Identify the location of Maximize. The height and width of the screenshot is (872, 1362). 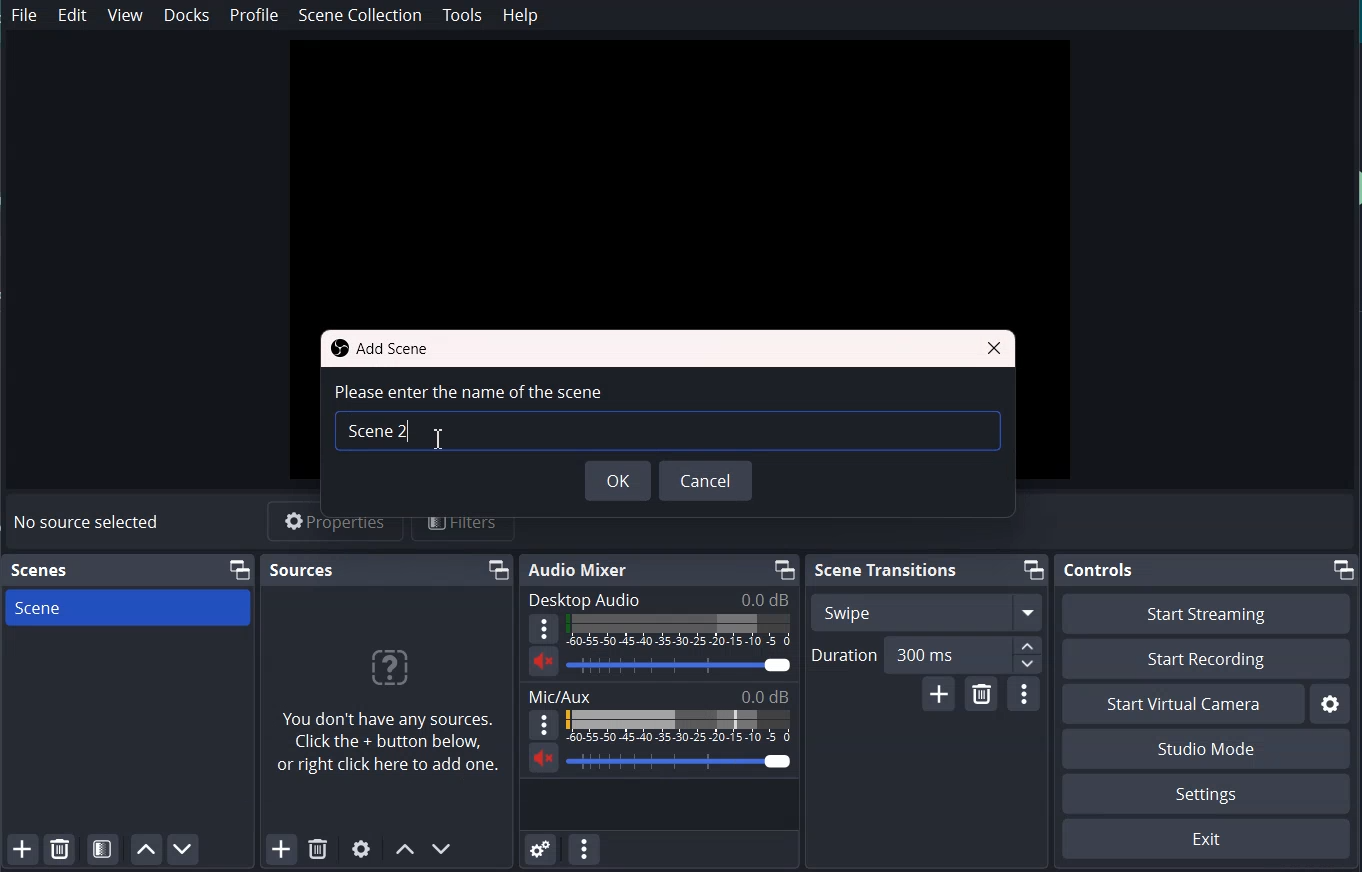
(1032, 570).